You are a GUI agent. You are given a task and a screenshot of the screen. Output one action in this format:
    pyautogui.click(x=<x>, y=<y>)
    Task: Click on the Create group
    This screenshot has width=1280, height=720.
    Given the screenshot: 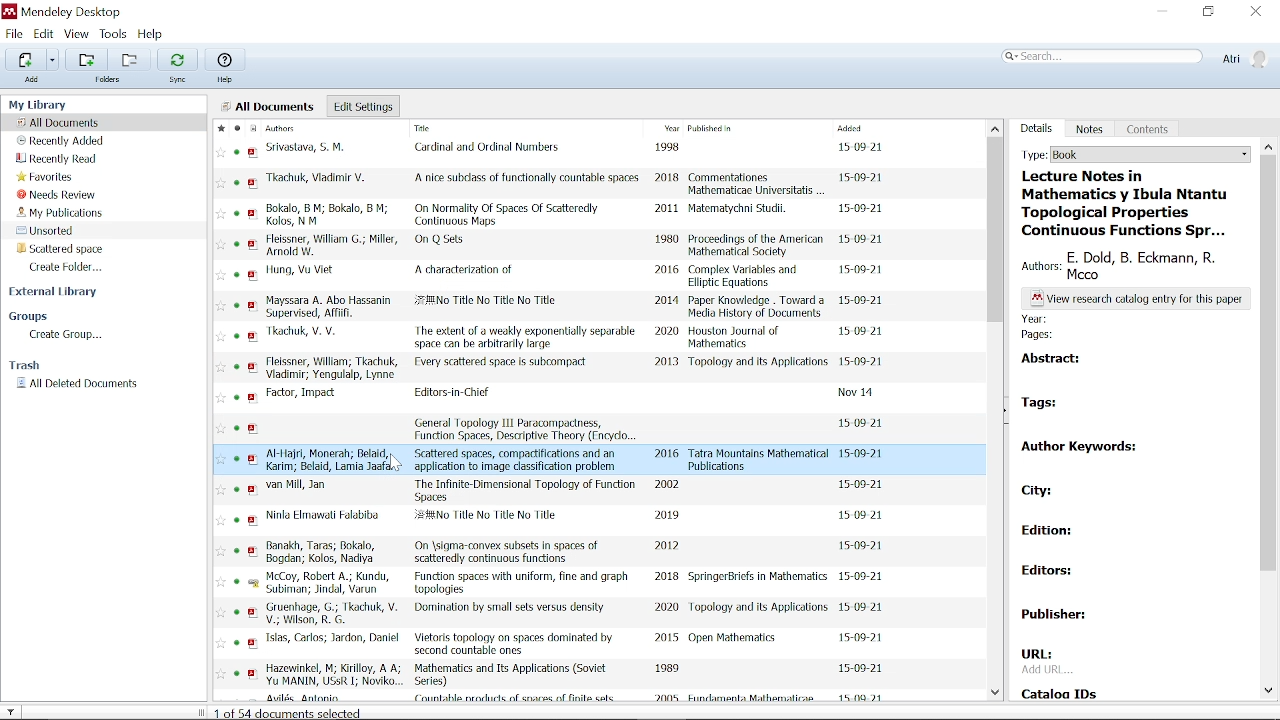 What is the action you would take?
    pyautogui.click(x=67, y=336)
    